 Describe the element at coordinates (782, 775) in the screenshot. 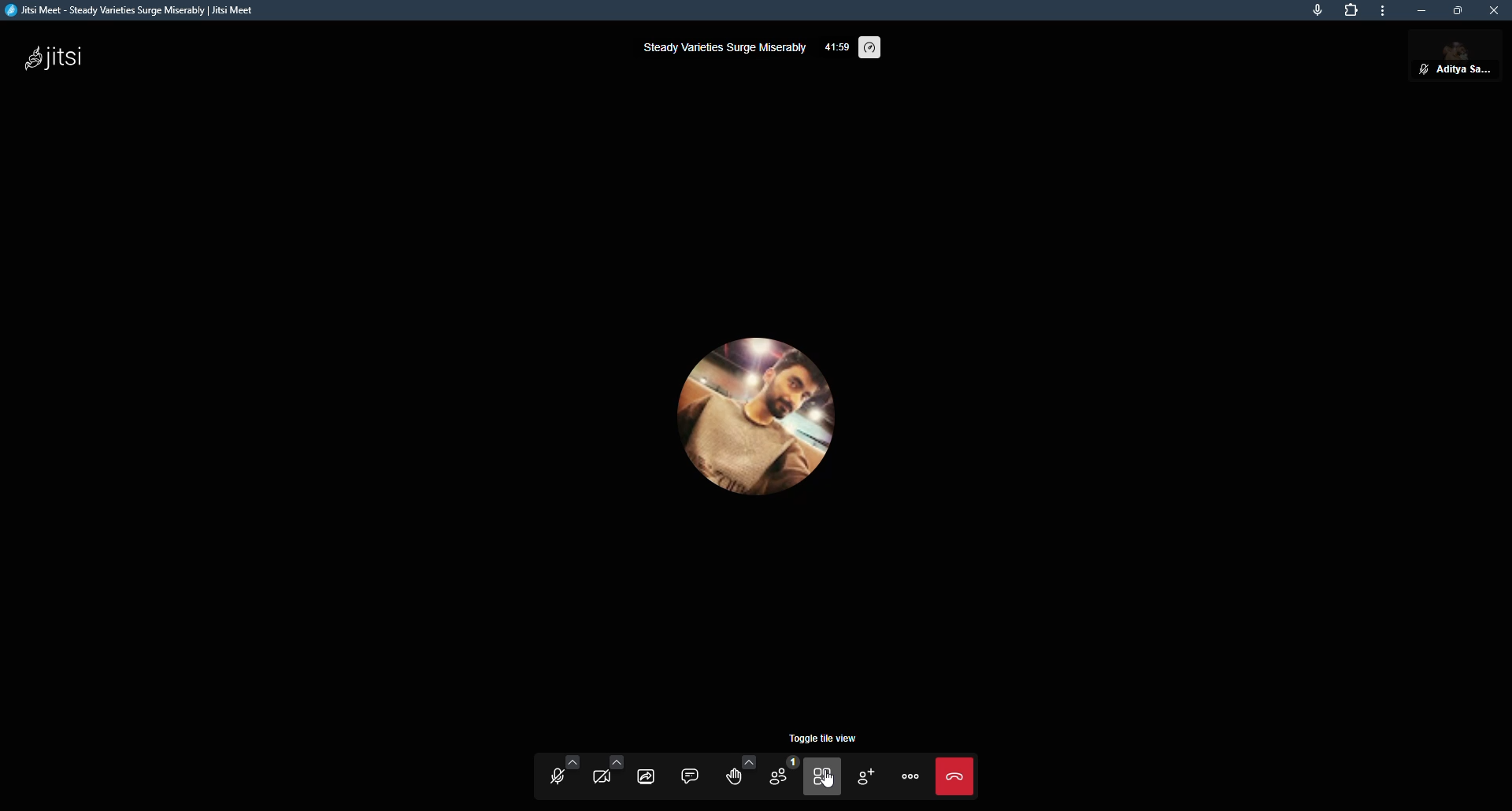

I see `participants` at that location.